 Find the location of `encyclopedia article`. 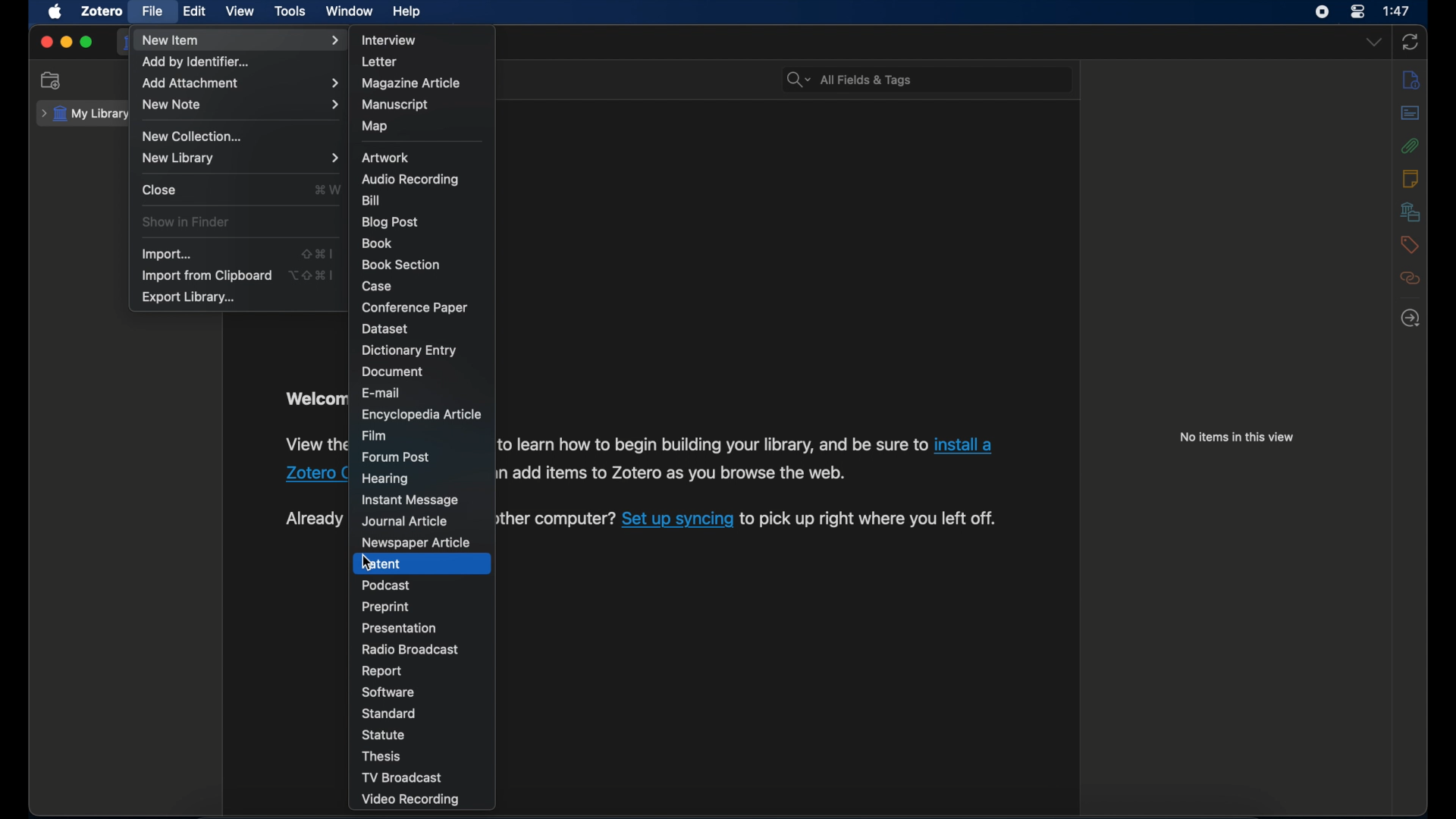

encyclopedia article is located at coordinates (419, 414).